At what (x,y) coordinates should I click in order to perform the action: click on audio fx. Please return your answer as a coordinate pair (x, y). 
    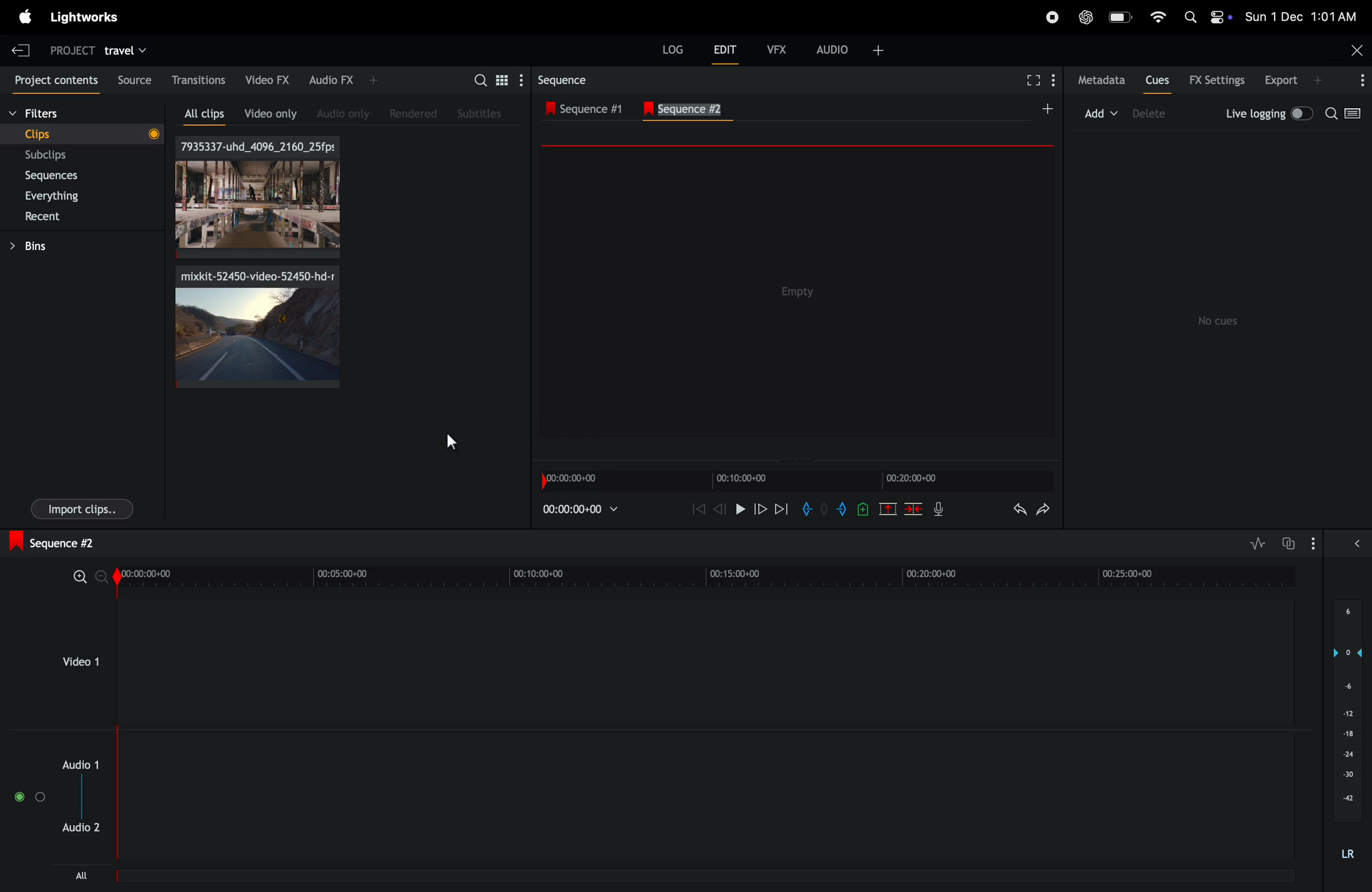
    Looking at the image, I should click on (344, 81).